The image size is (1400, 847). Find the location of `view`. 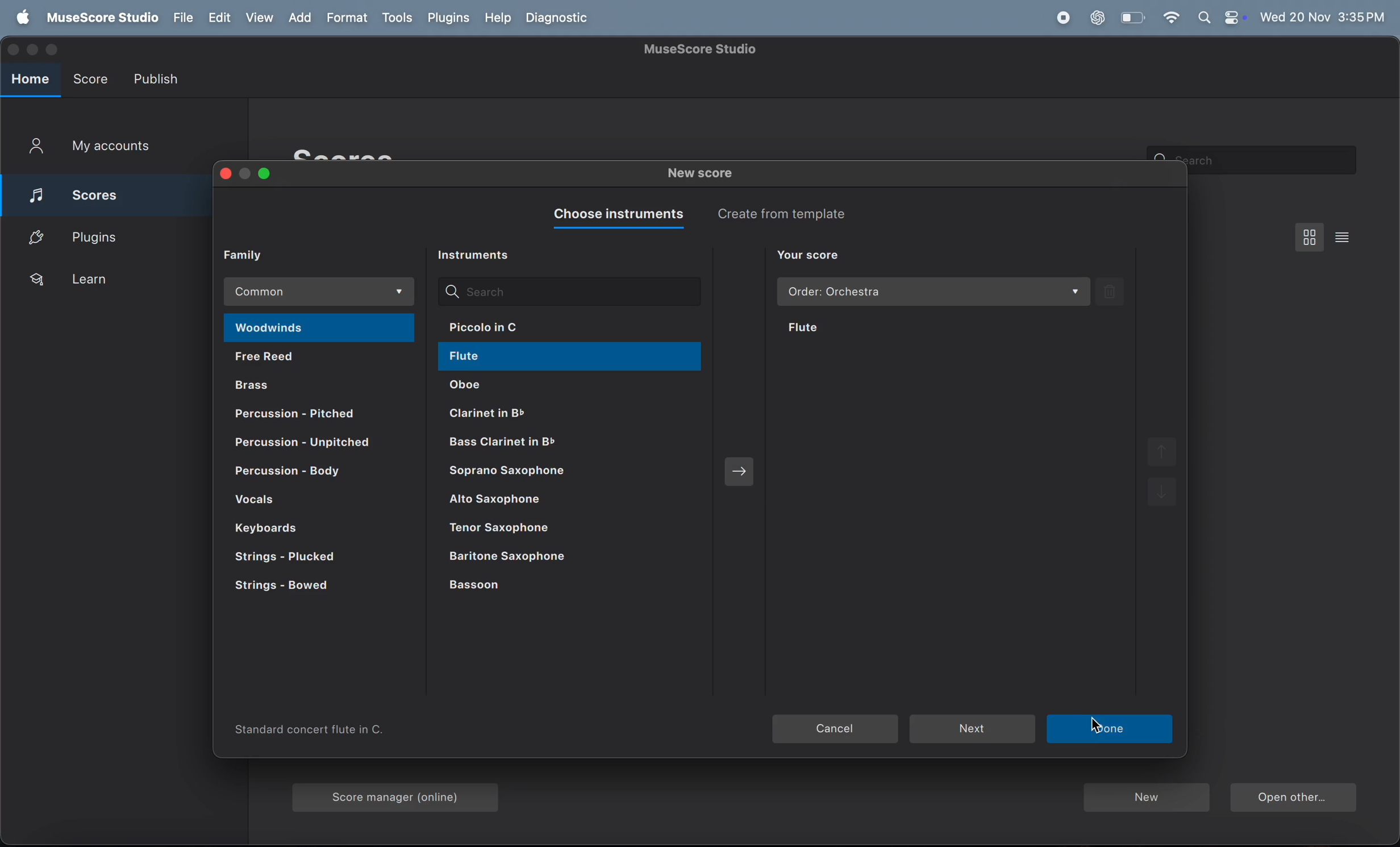

view is located at coordinates (261, 18).